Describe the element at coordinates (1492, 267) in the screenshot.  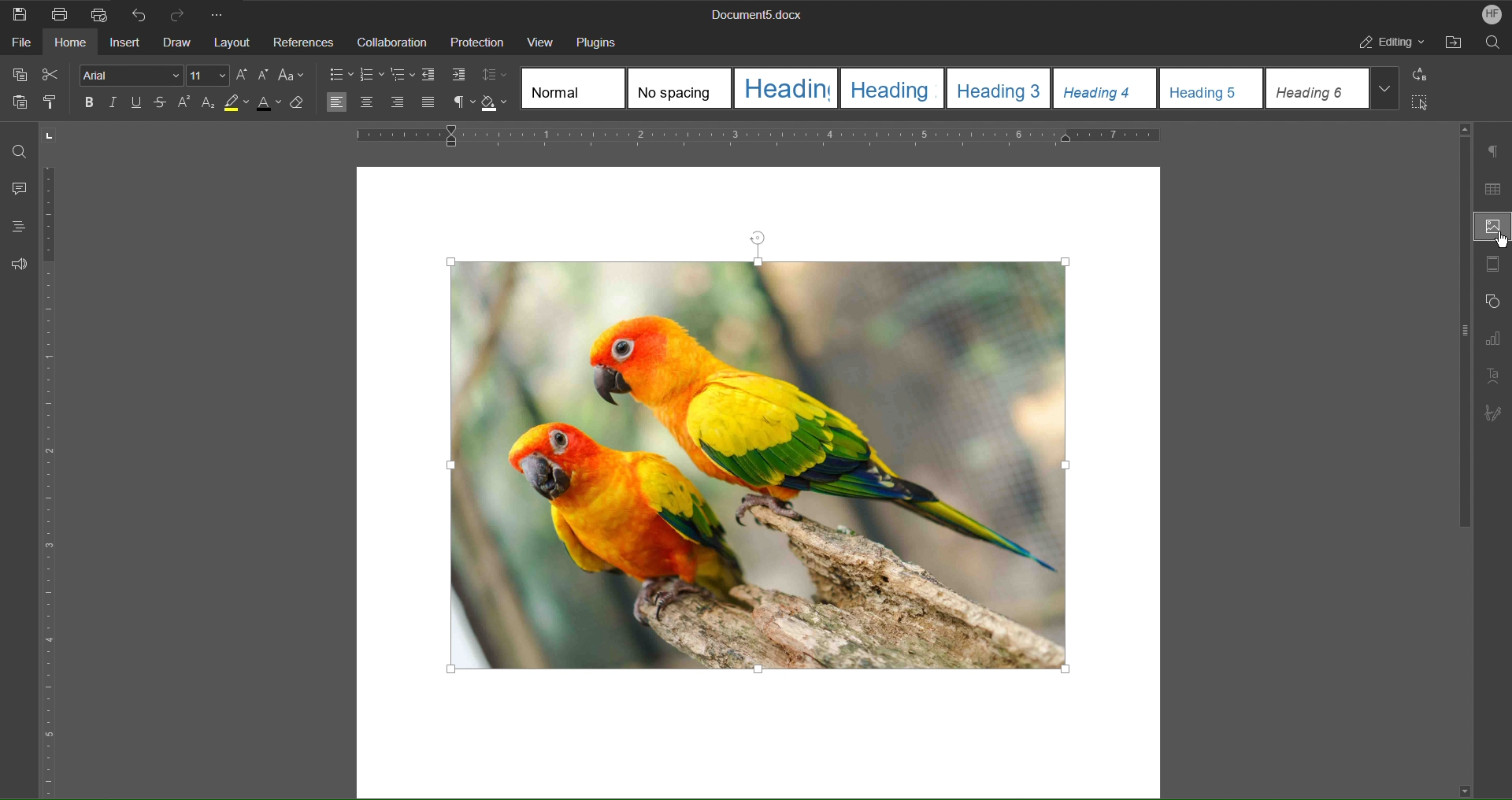
I see `Header/Footer` at that location.